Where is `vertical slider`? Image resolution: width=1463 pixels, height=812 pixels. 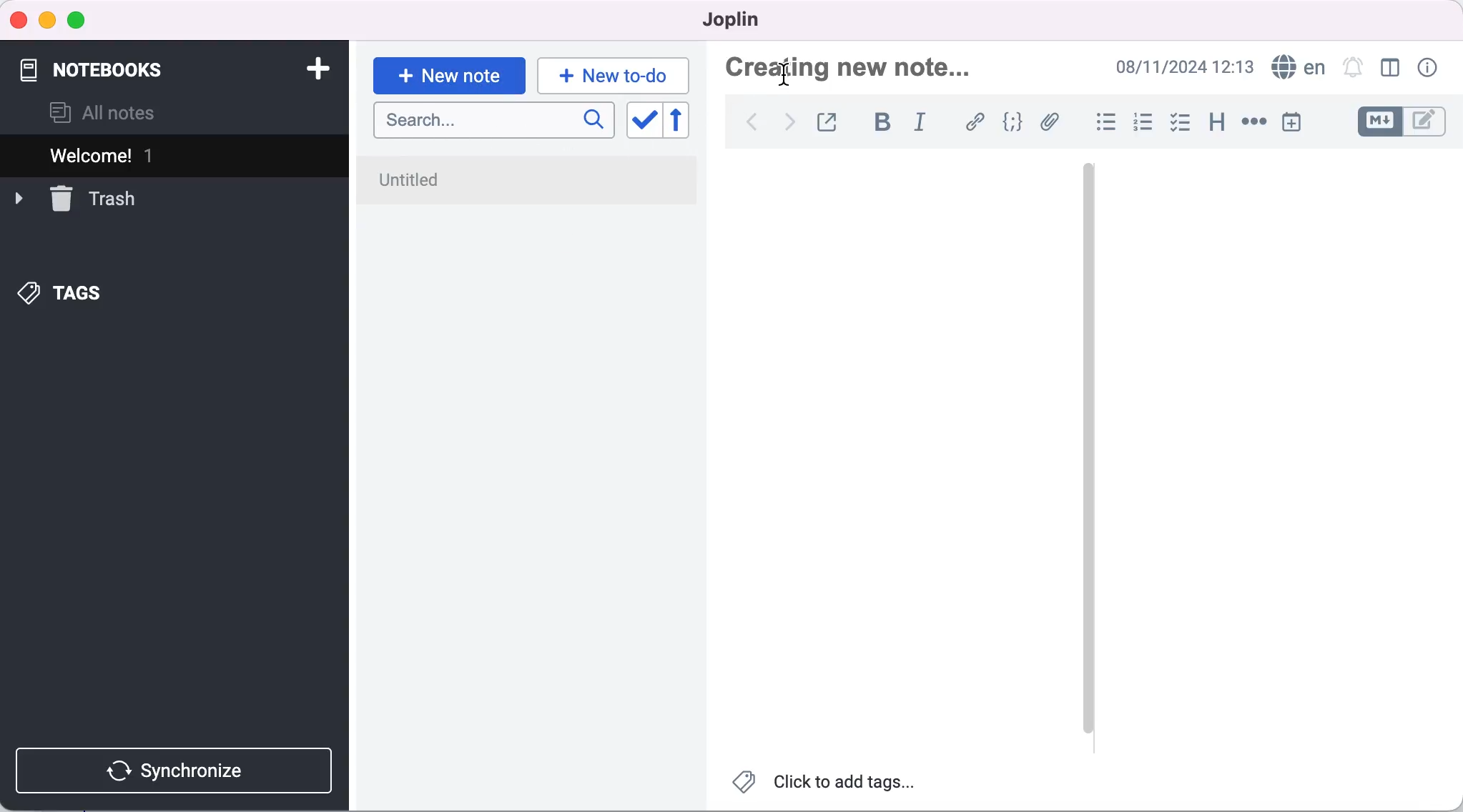
vertical slider is located at coordinates (1088, 450).